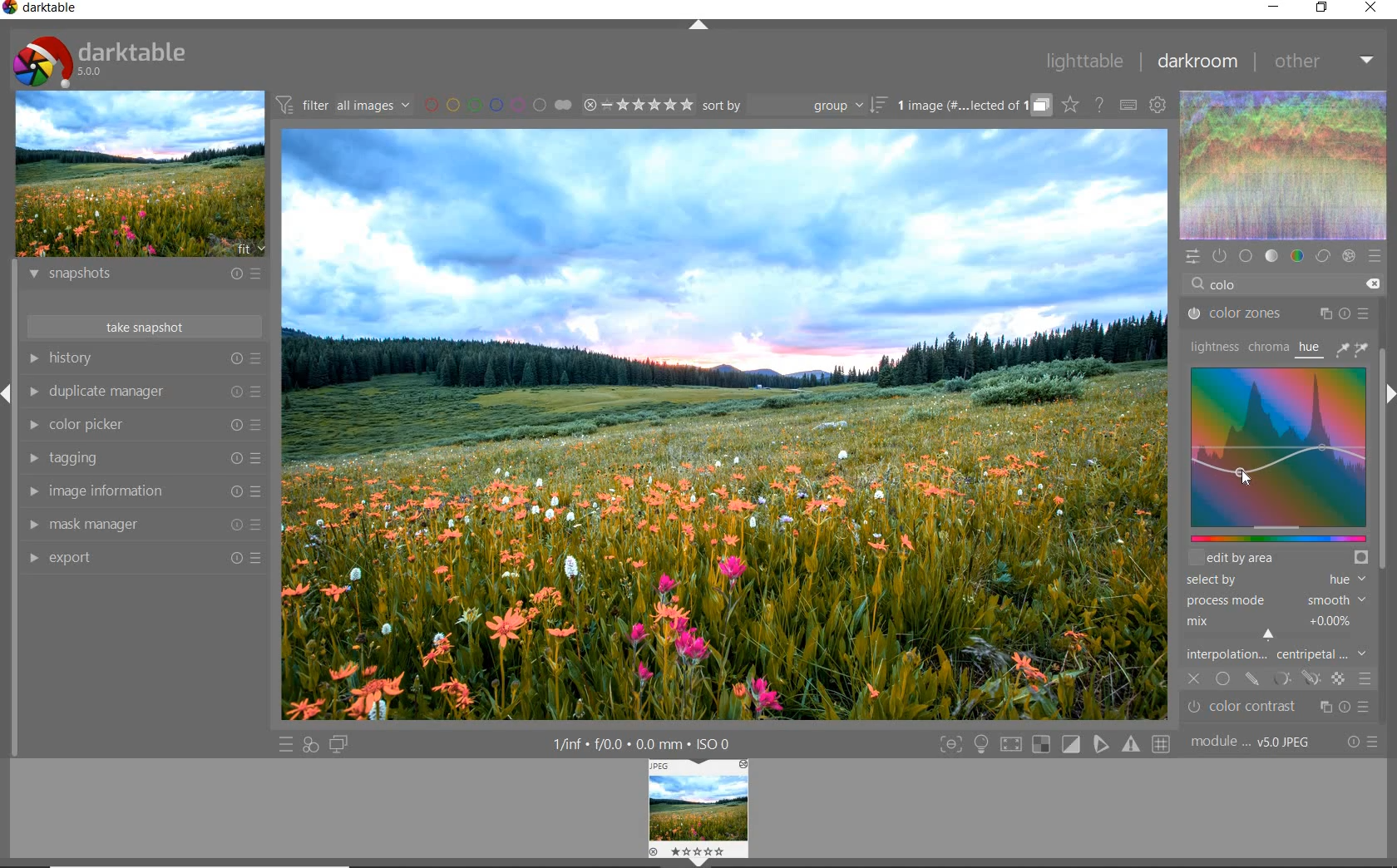 This screenshot has height=868, width=1397. Describe the element at coordinates (287, 745) in the screenshot. I see `quick access to presets` at that location.